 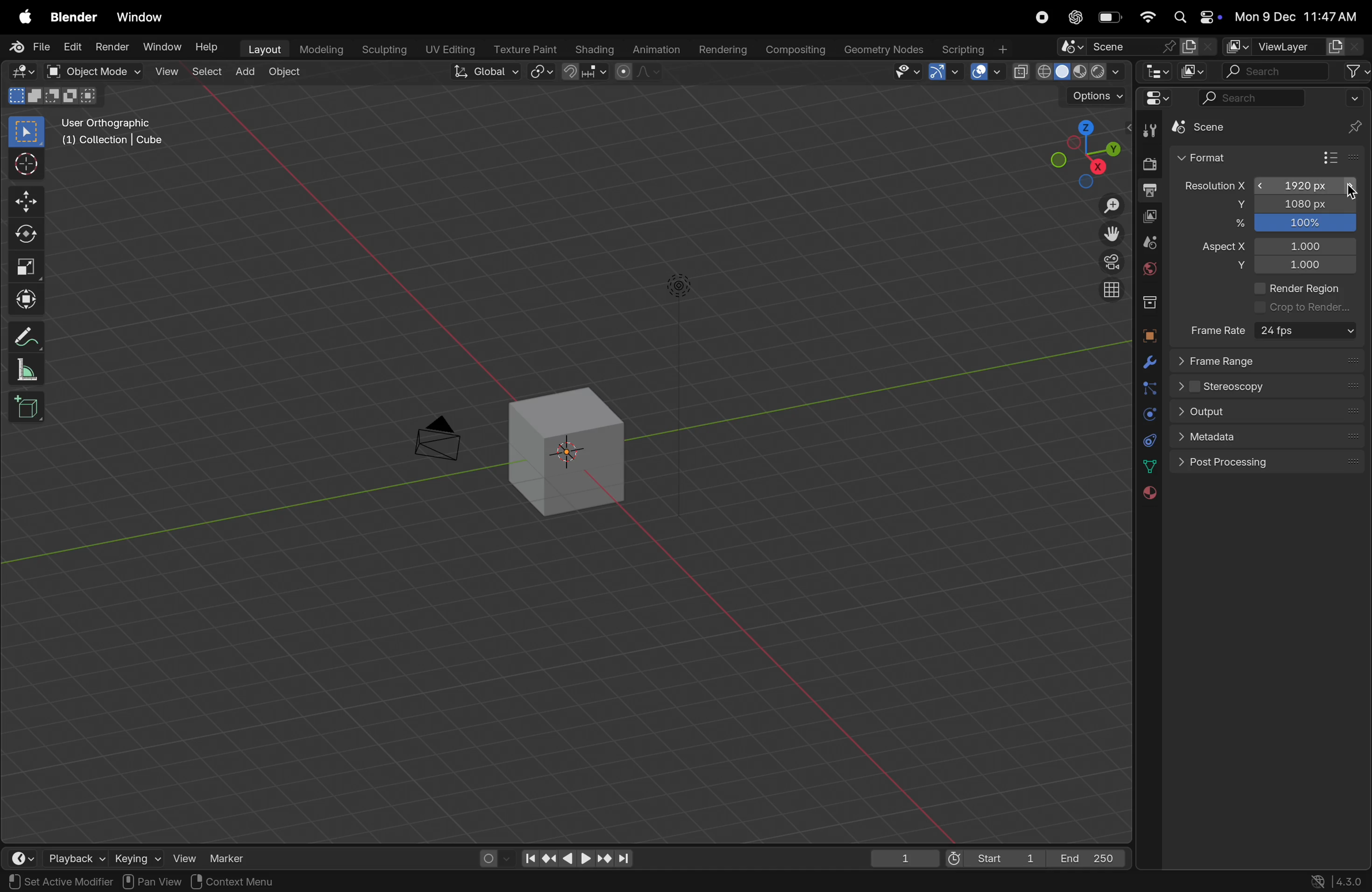 What do you see at coordinates (31, 408) in the screenshot?
I see `add cube` at bounding box center [31, 408].